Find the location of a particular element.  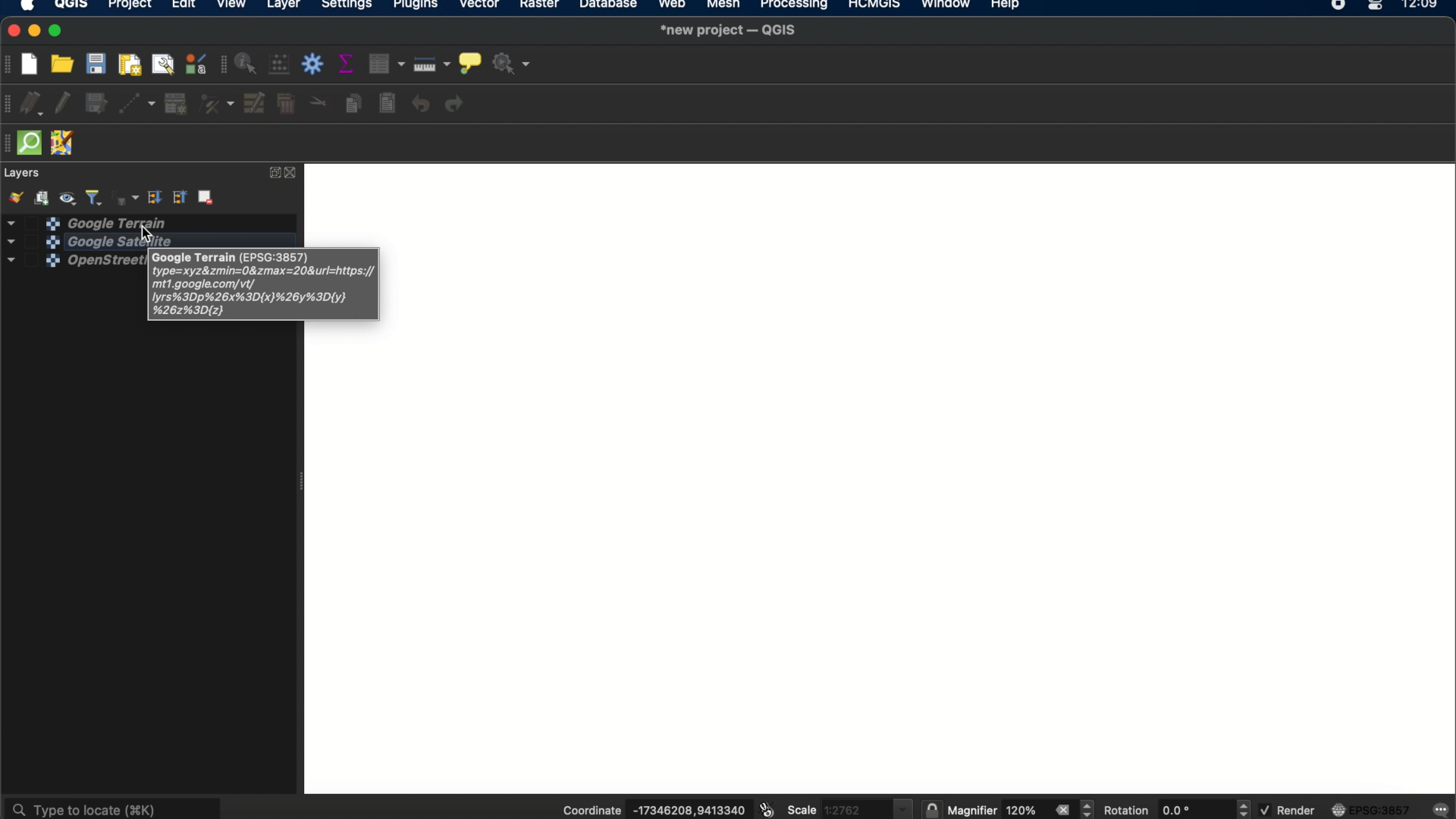

expand is located at coordinates (272, 173).